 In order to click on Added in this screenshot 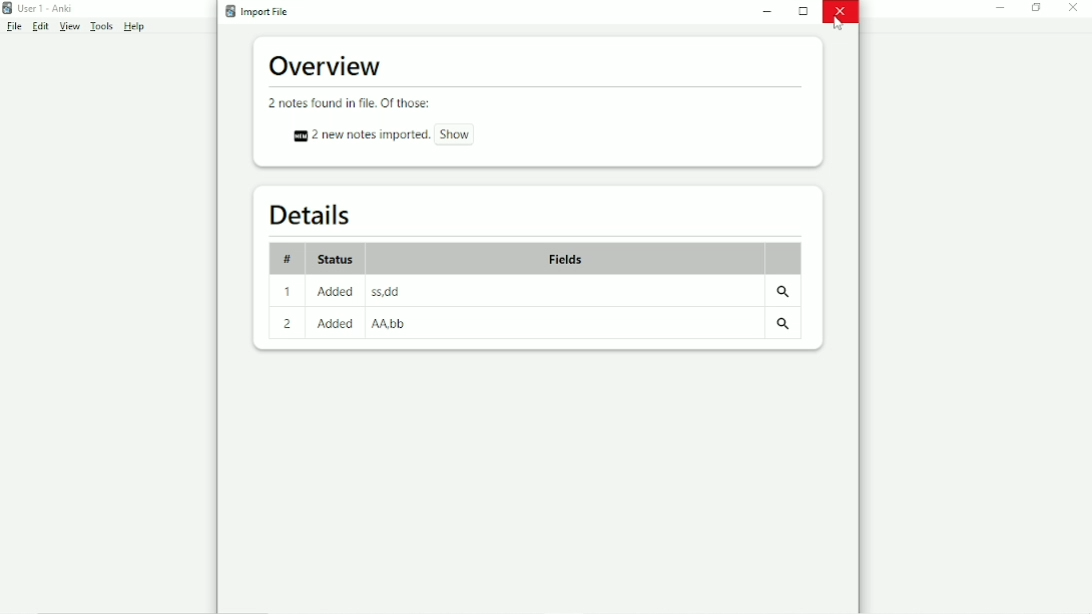, I will do `click(336, 291)`.